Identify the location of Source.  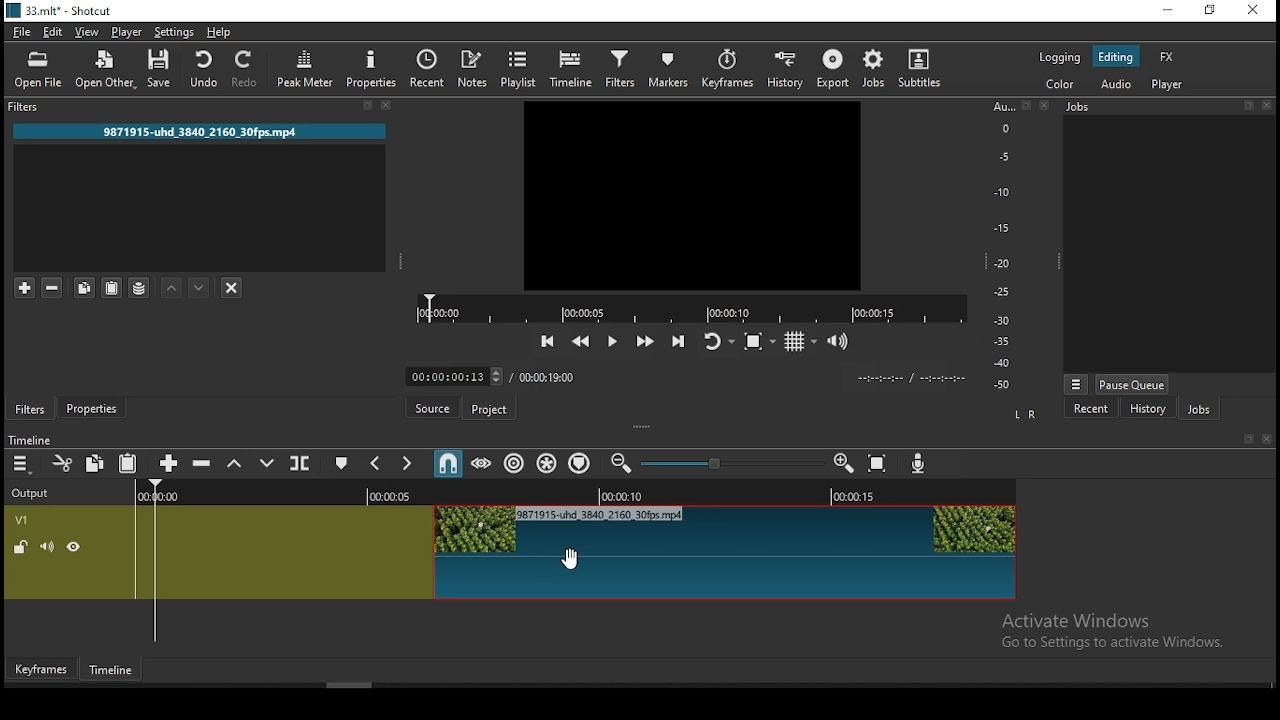
(434, 406).